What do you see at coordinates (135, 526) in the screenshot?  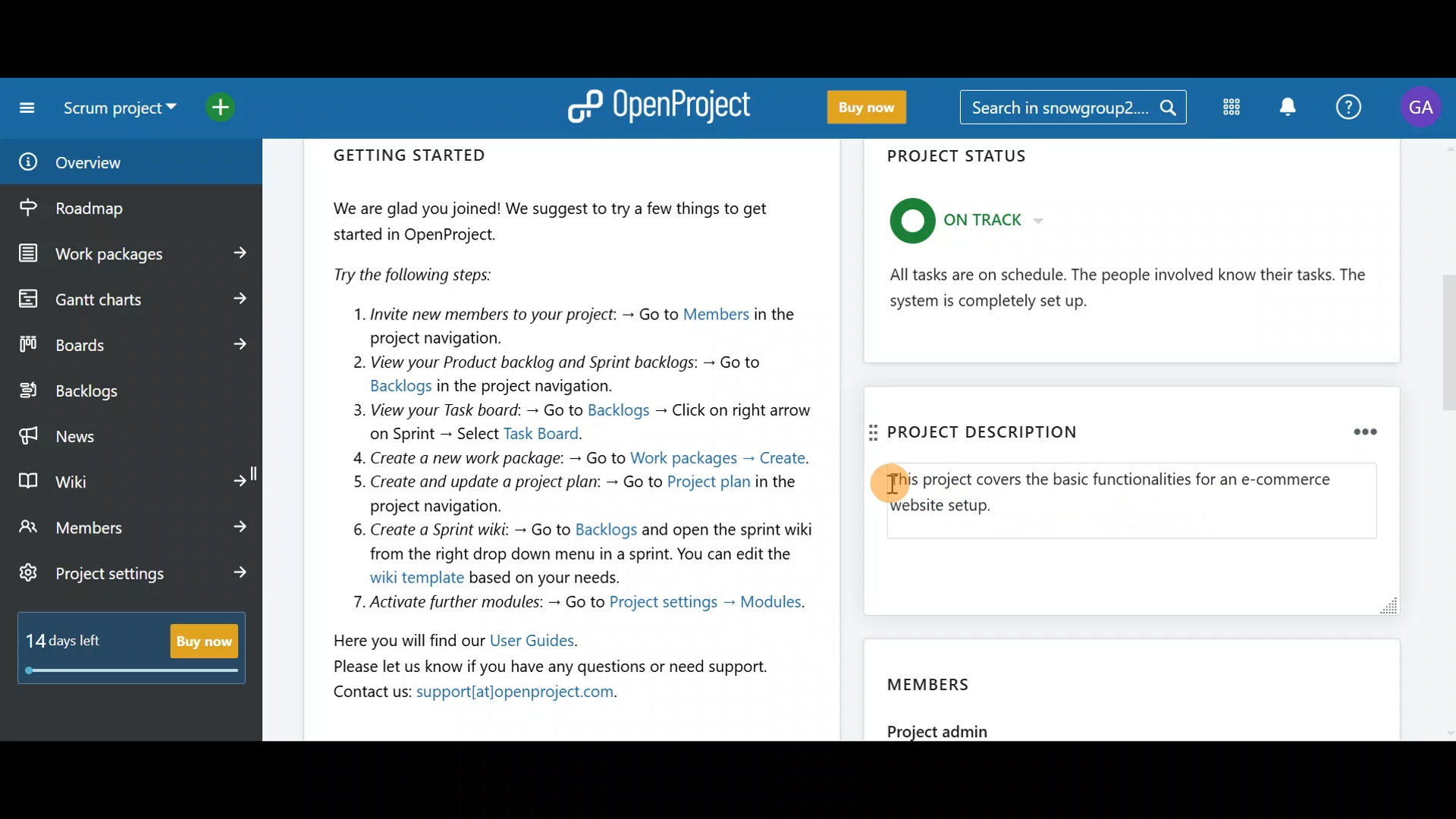 I see `Members` at bounding box center [135, 526].